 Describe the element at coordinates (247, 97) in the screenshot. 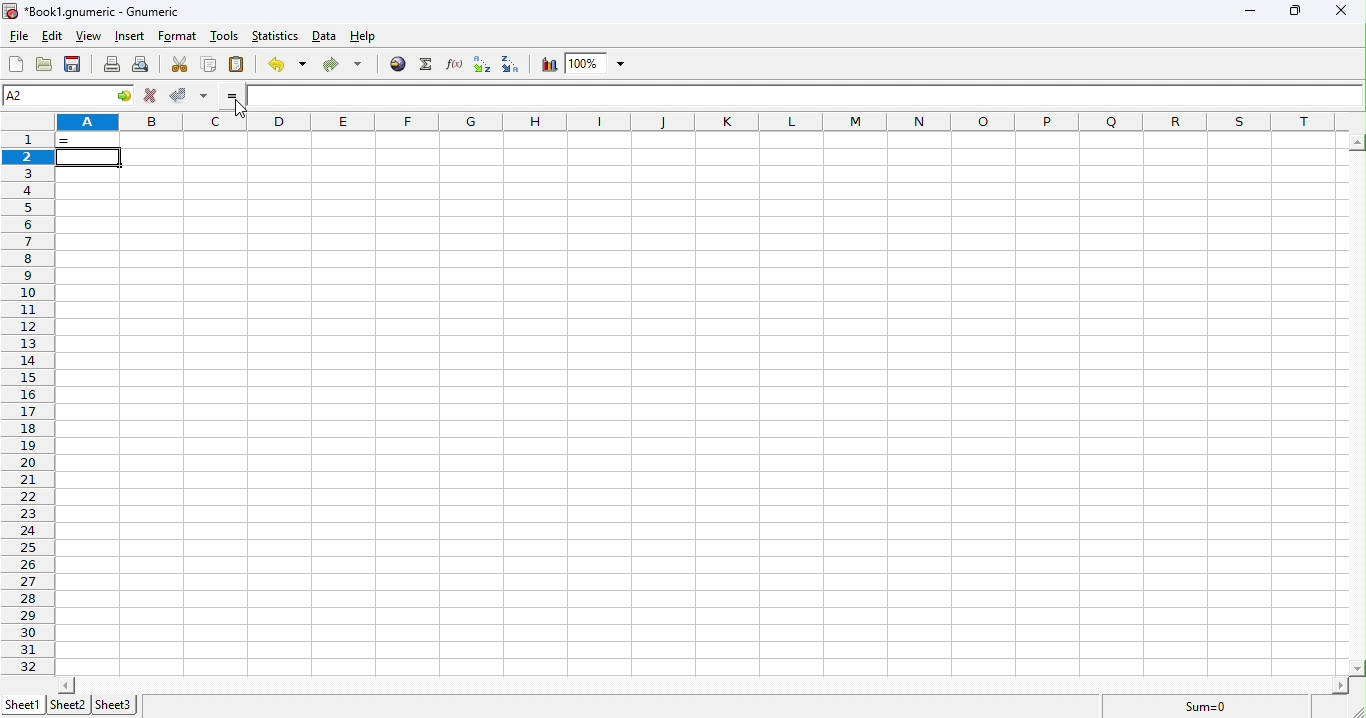

I see `=` at that location.